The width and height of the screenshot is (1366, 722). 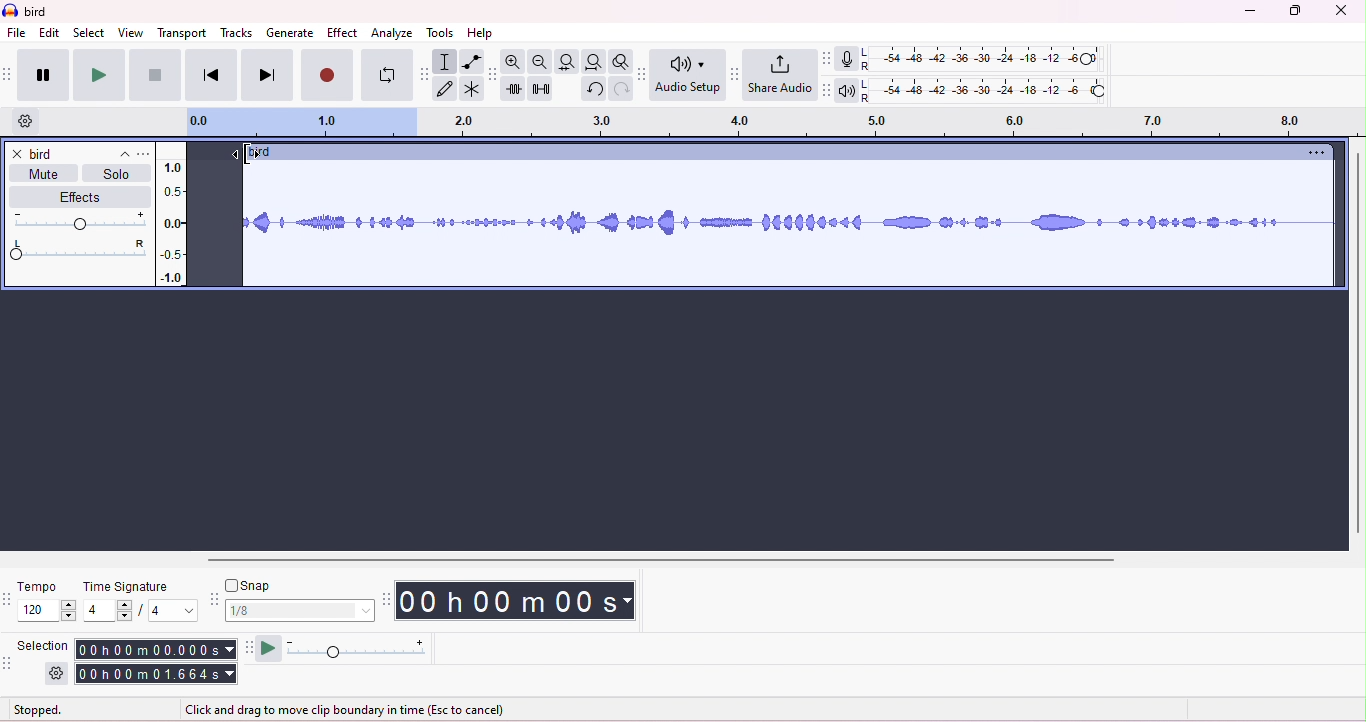 I want to click on selection options, so click(x=57, y=674).